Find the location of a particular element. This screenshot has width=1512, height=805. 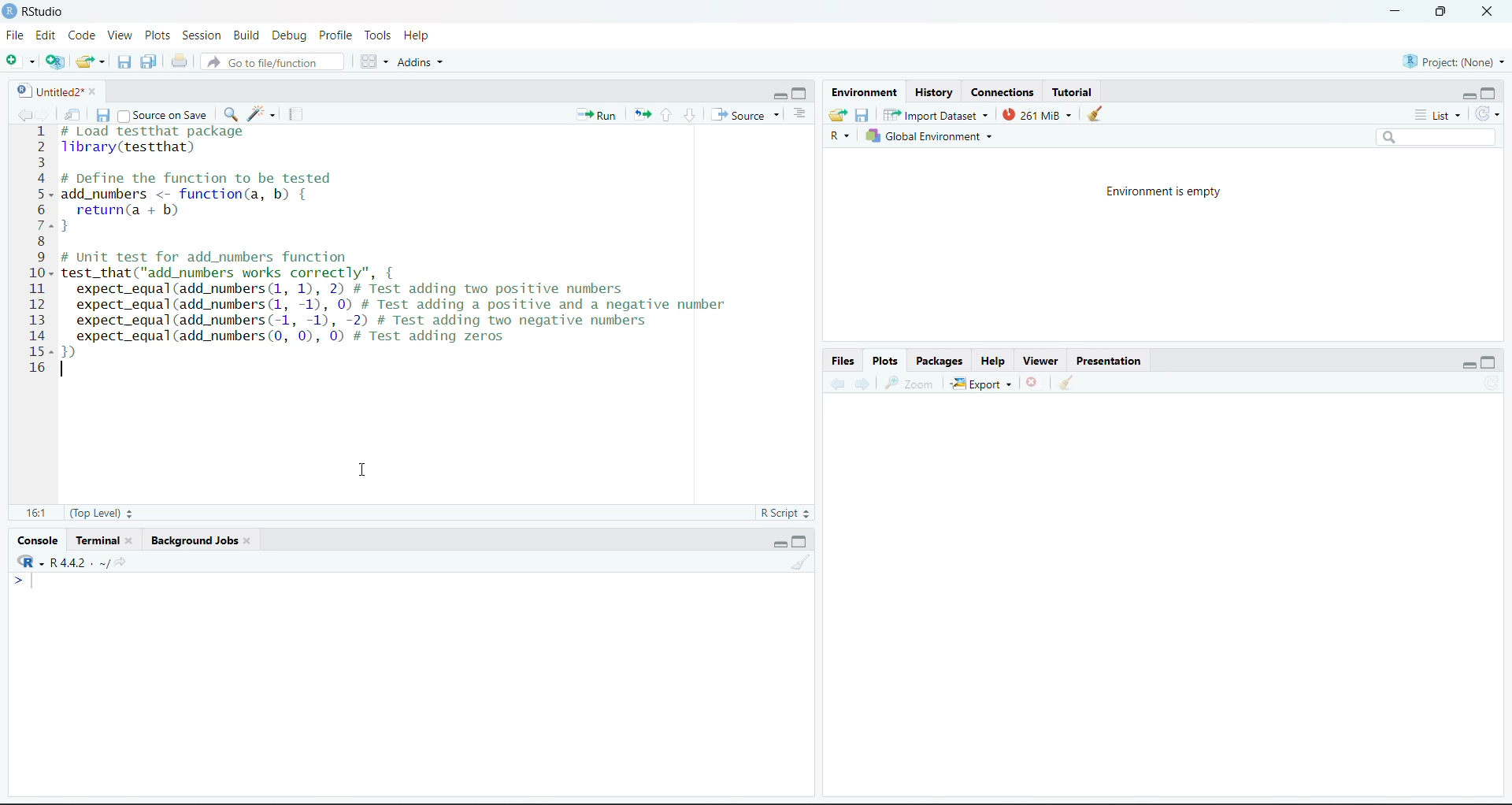

Profile is located at coordinates (334, 35).